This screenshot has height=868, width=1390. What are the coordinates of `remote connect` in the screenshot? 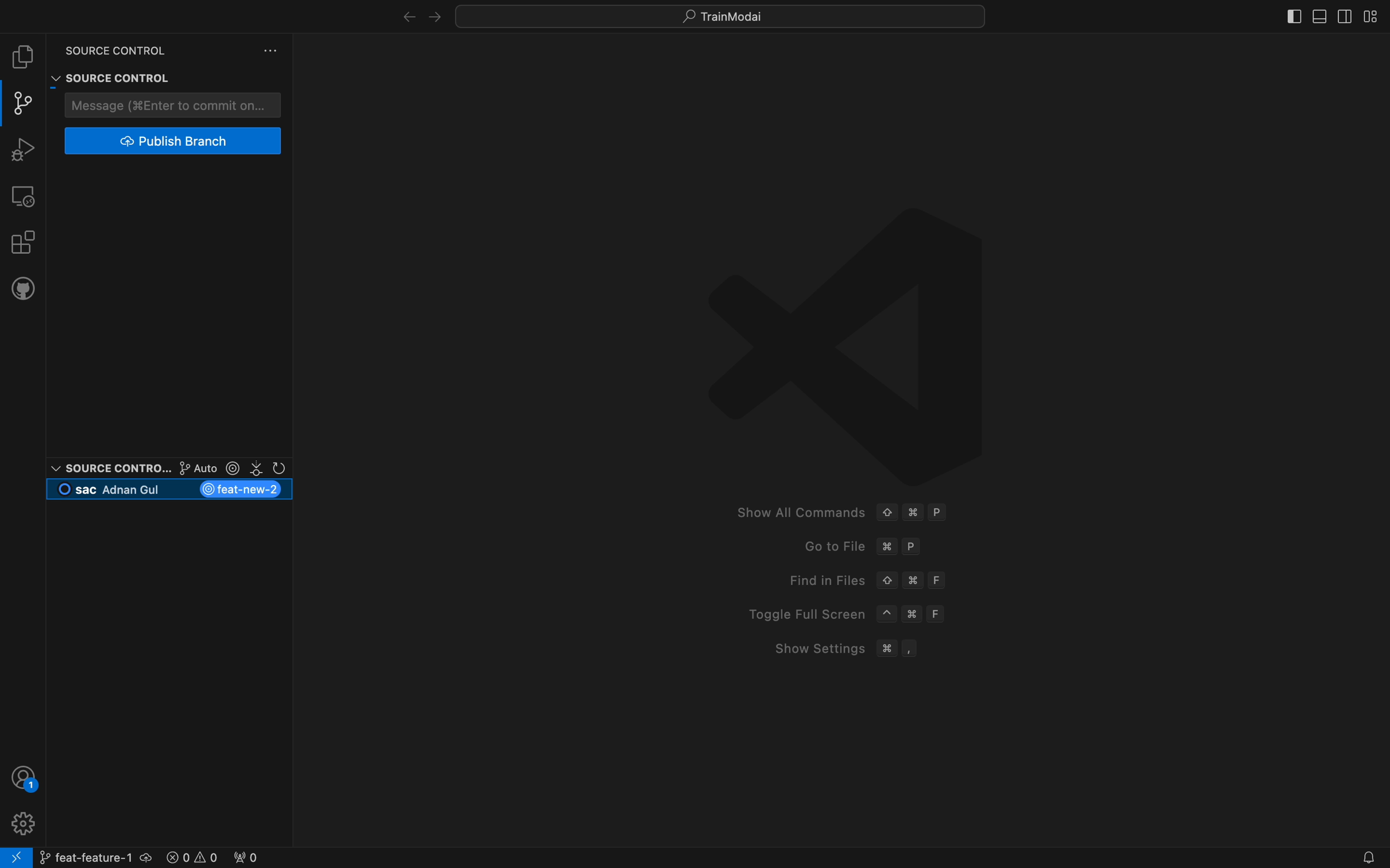 It's located at (16, 858).